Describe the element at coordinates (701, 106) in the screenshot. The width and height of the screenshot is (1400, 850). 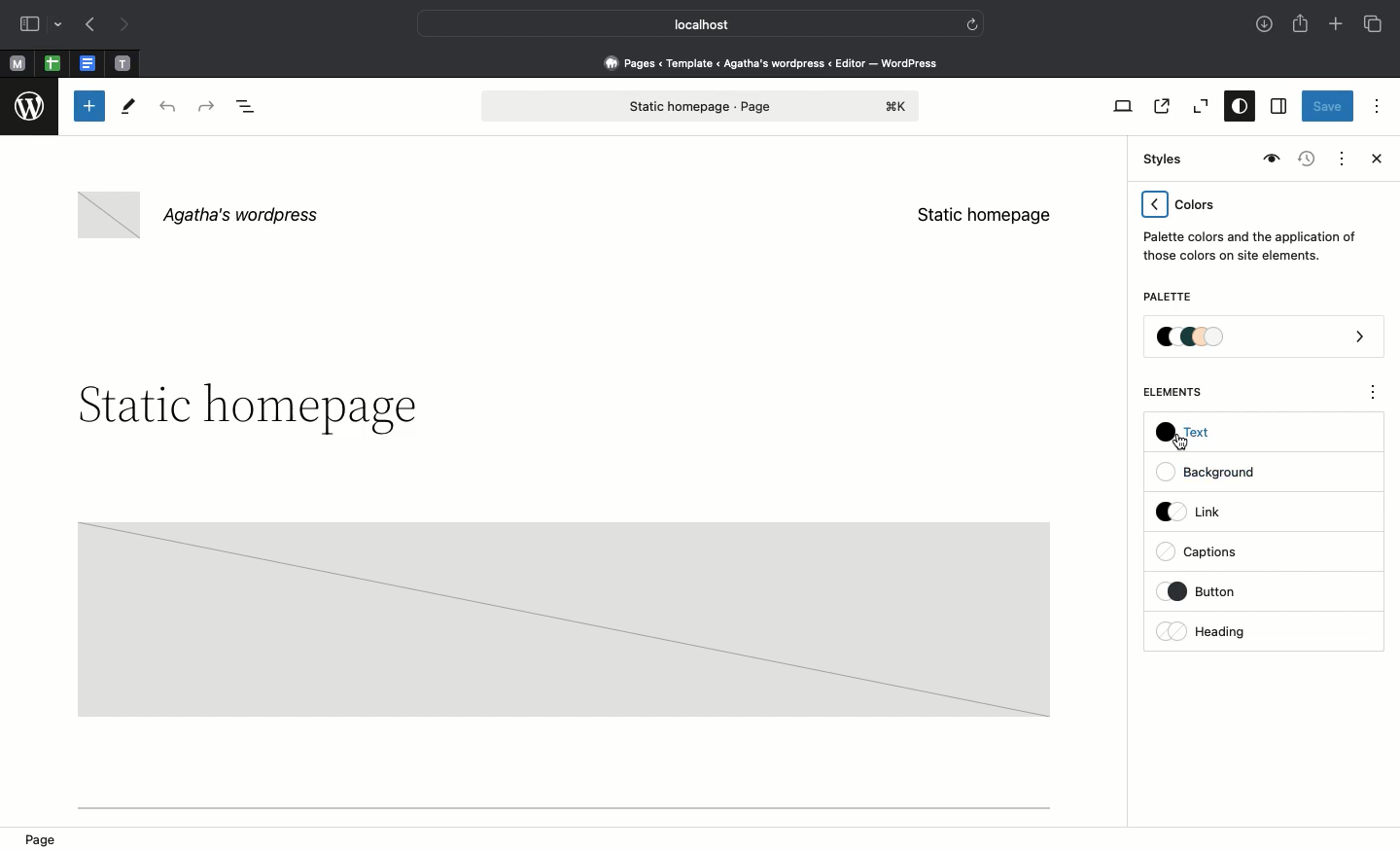
I see `Page` at that location.